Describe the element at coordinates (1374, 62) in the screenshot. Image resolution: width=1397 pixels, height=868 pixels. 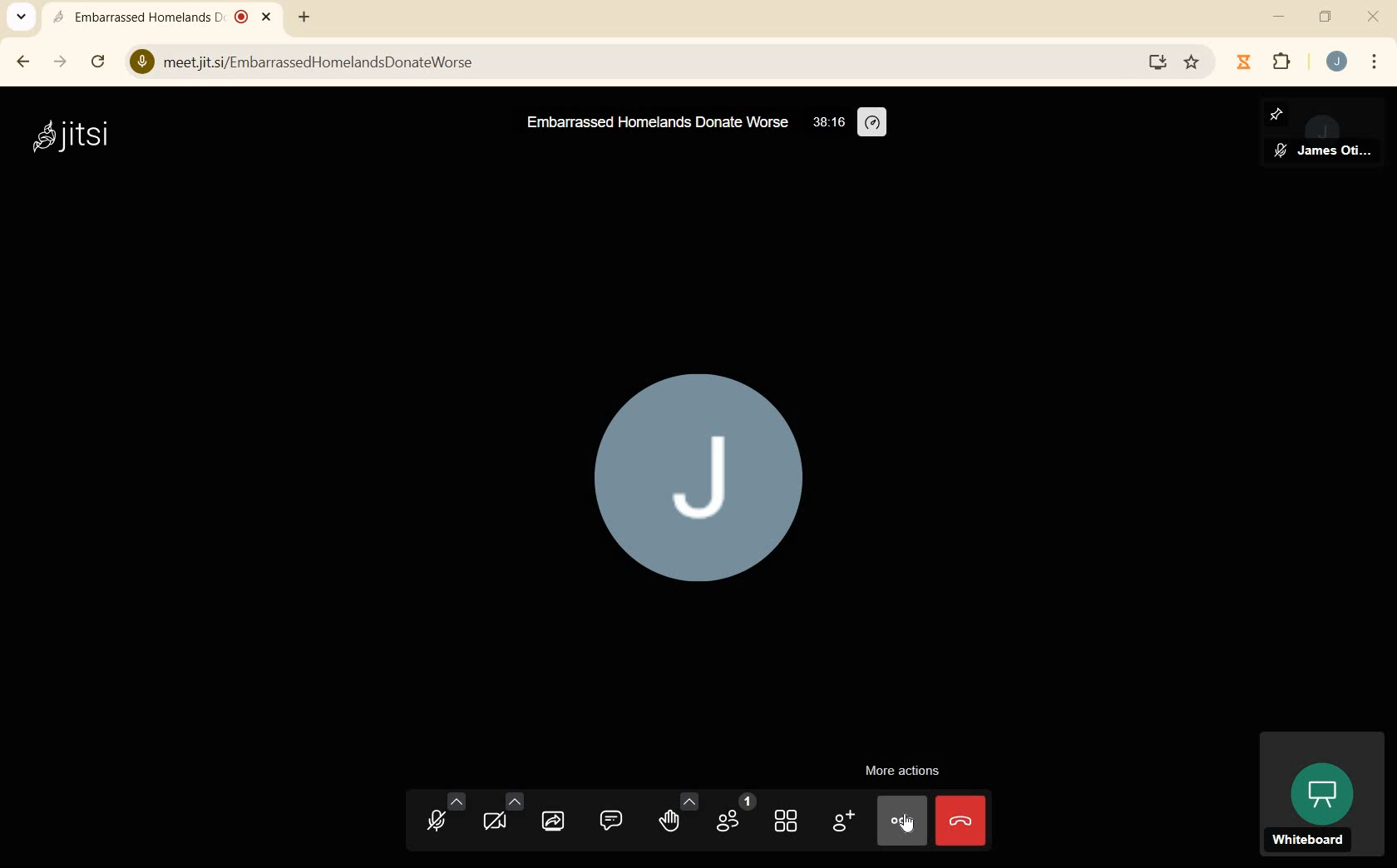
I see `customize google chrome` at that location.